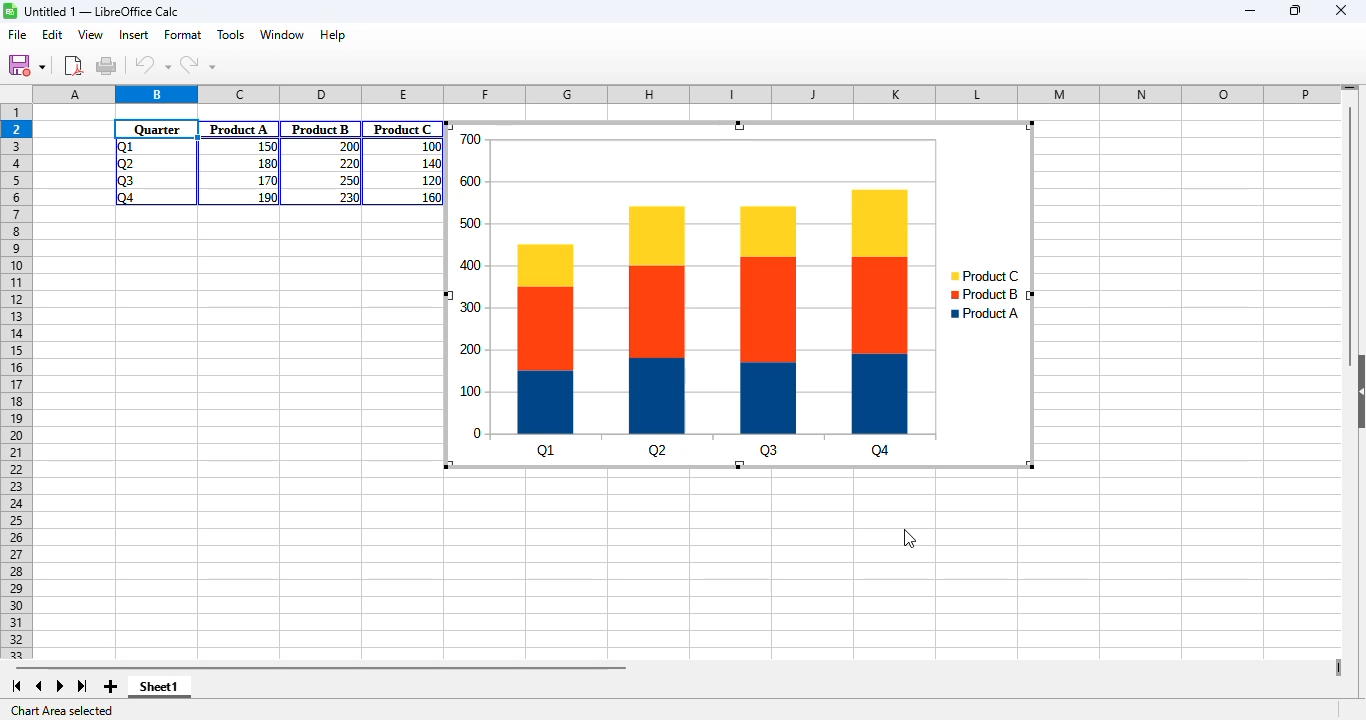  What do you see at coordinates (321, 129) in the screenshot?
I see `Product B` at bounding box center [321, 129].